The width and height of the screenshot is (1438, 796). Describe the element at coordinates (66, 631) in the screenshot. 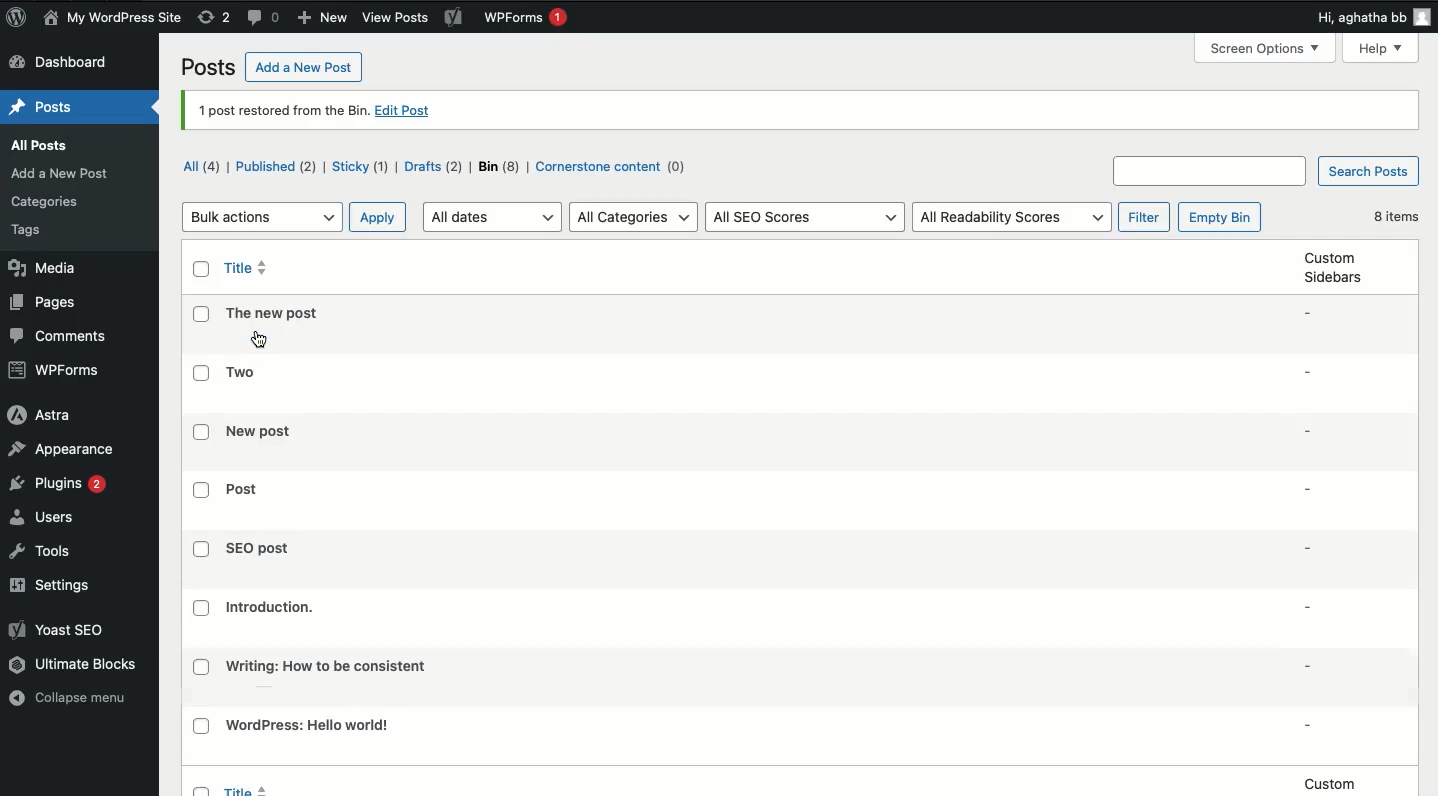

I see `Yoast` at that location.